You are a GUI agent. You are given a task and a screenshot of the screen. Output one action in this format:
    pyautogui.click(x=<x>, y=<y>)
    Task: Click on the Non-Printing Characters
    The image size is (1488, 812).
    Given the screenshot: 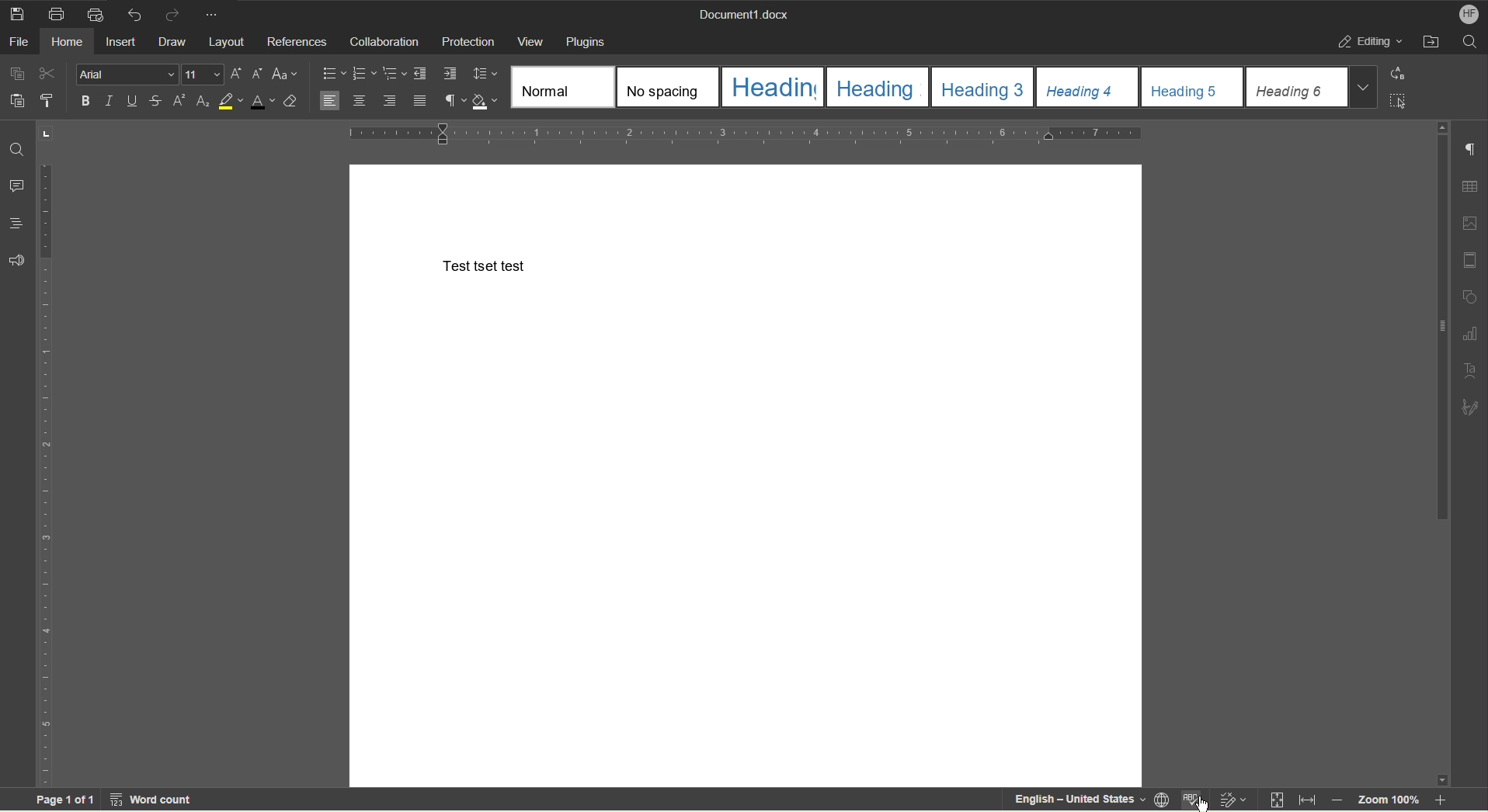 What is the action you would take?
    pyautogui.click(x=454, y=102)
    